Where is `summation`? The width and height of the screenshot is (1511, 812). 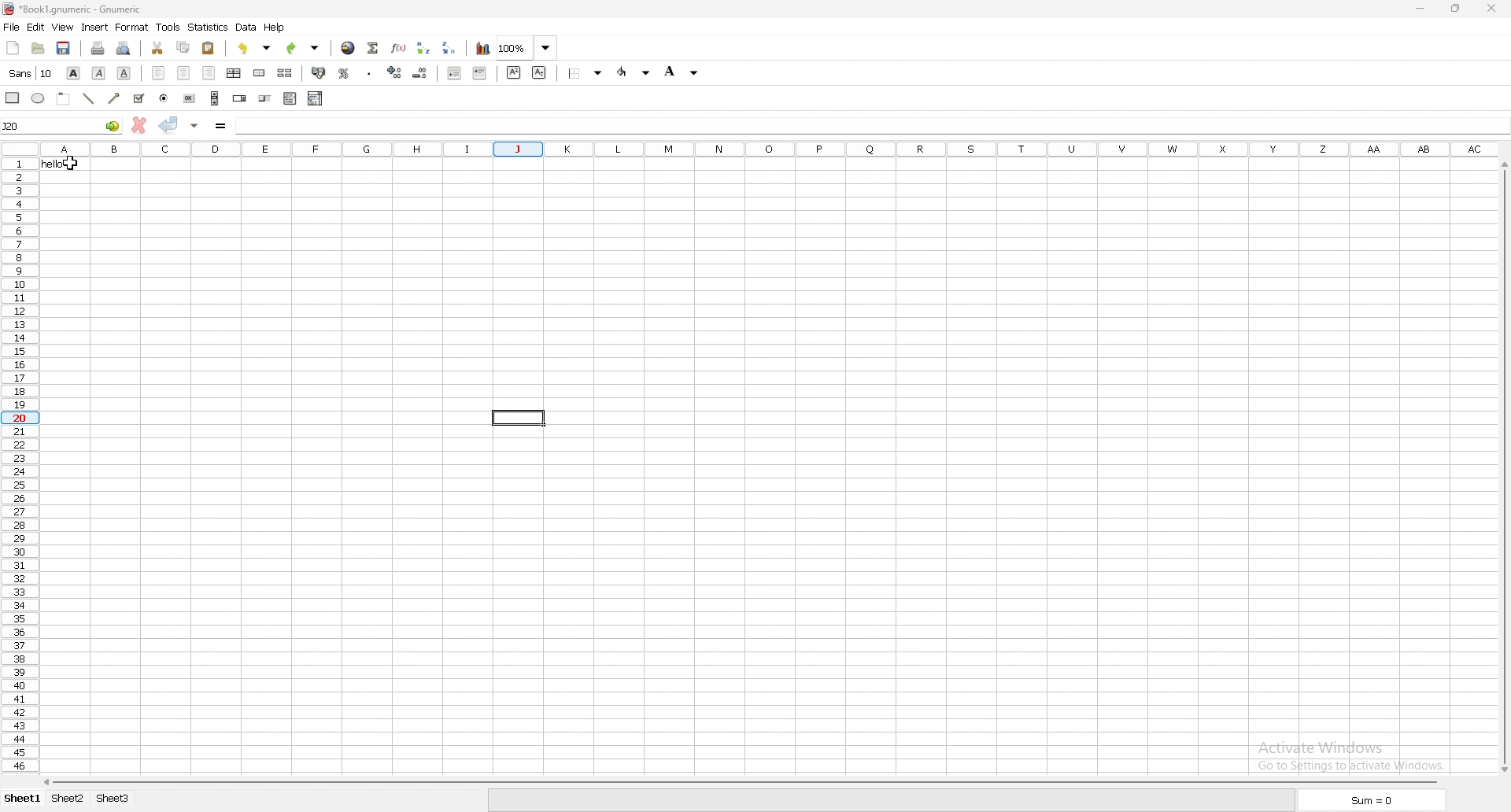
summation is located at coordinates (372, 48).